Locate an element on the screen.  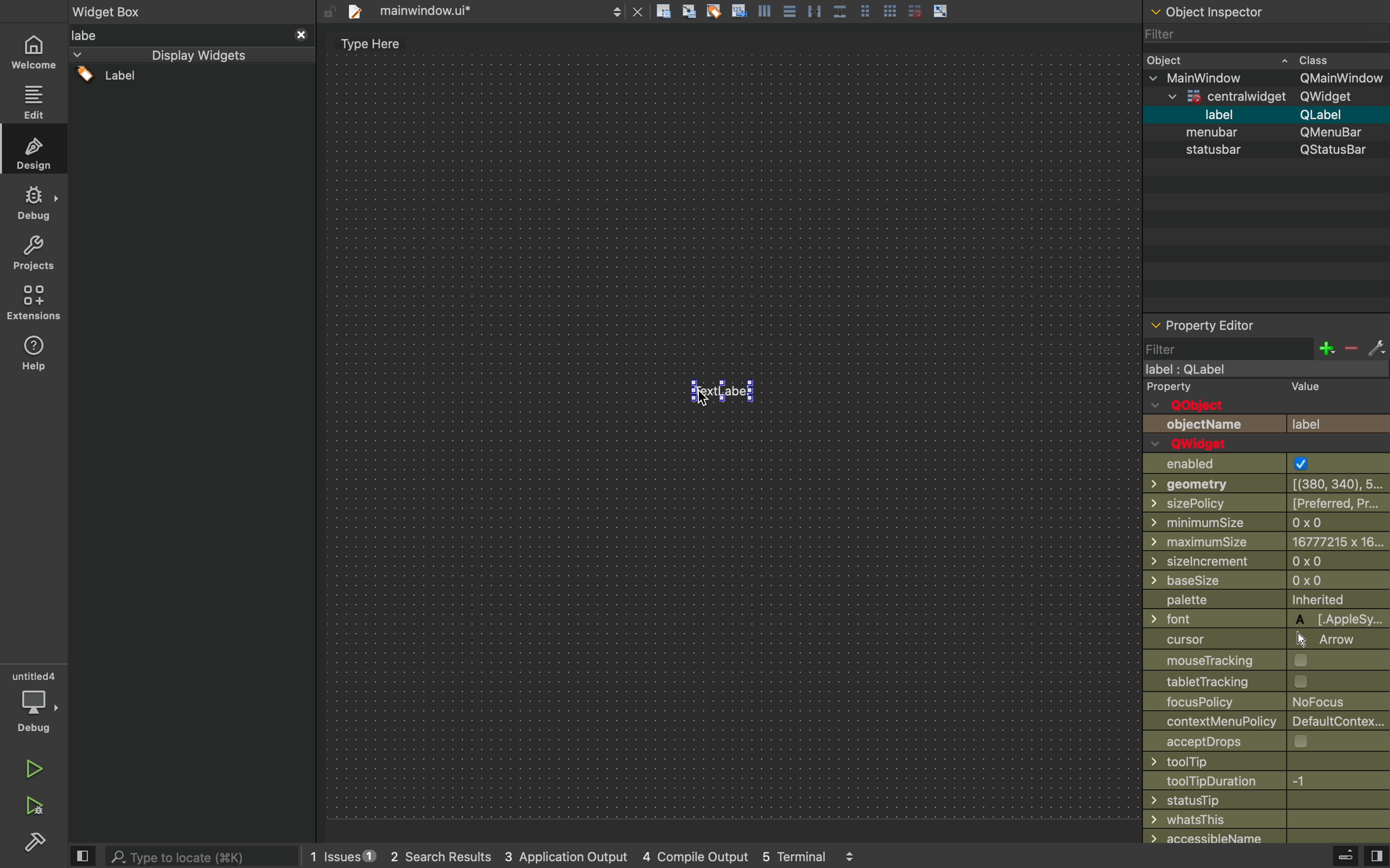
filter is located at coordinates (1267, 349).